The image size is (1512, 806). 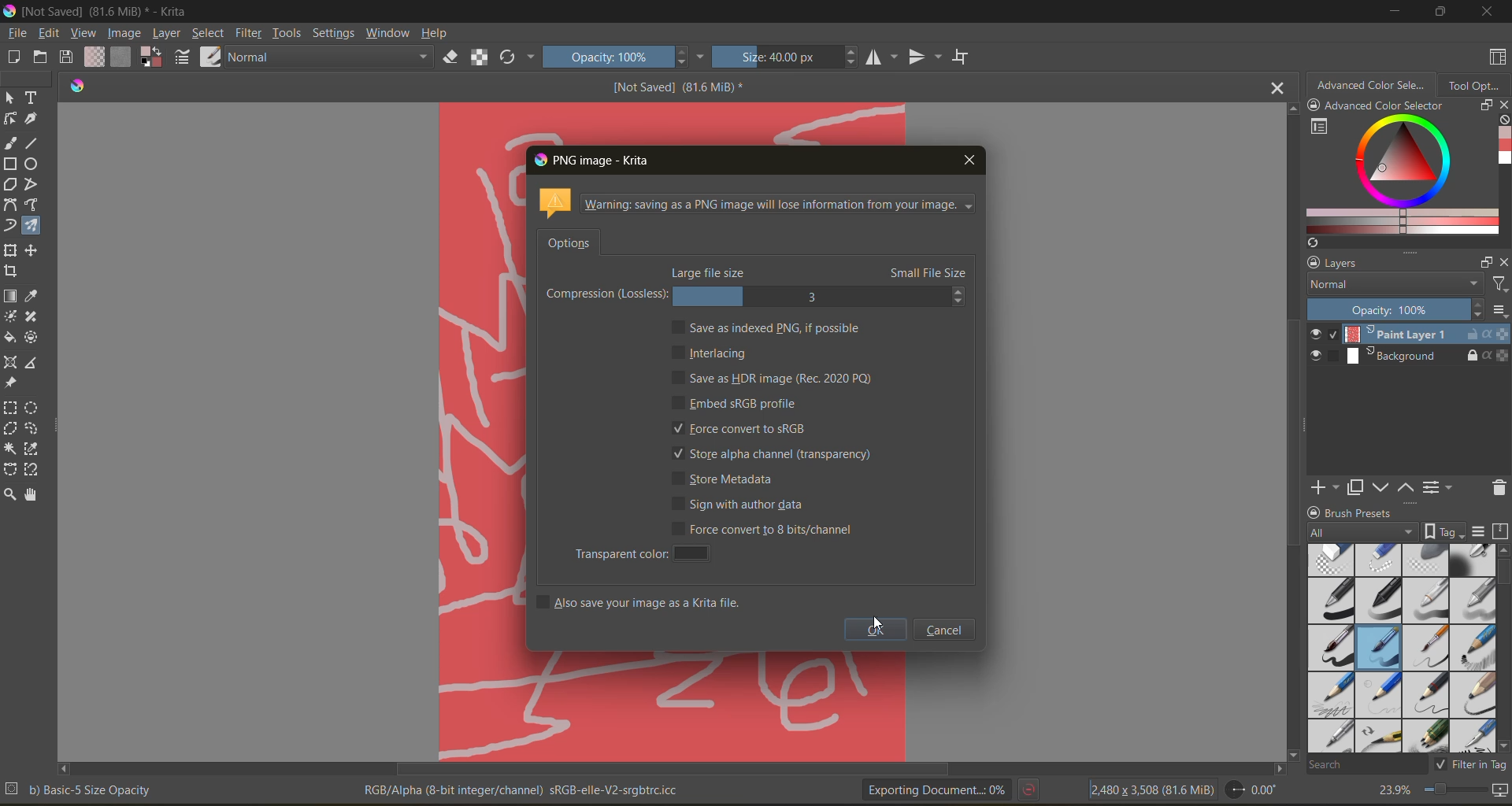 What do you see at coordinates (1499, 490) in the screenshot?
I see `delete mask` at bounding box center [1499, 490].